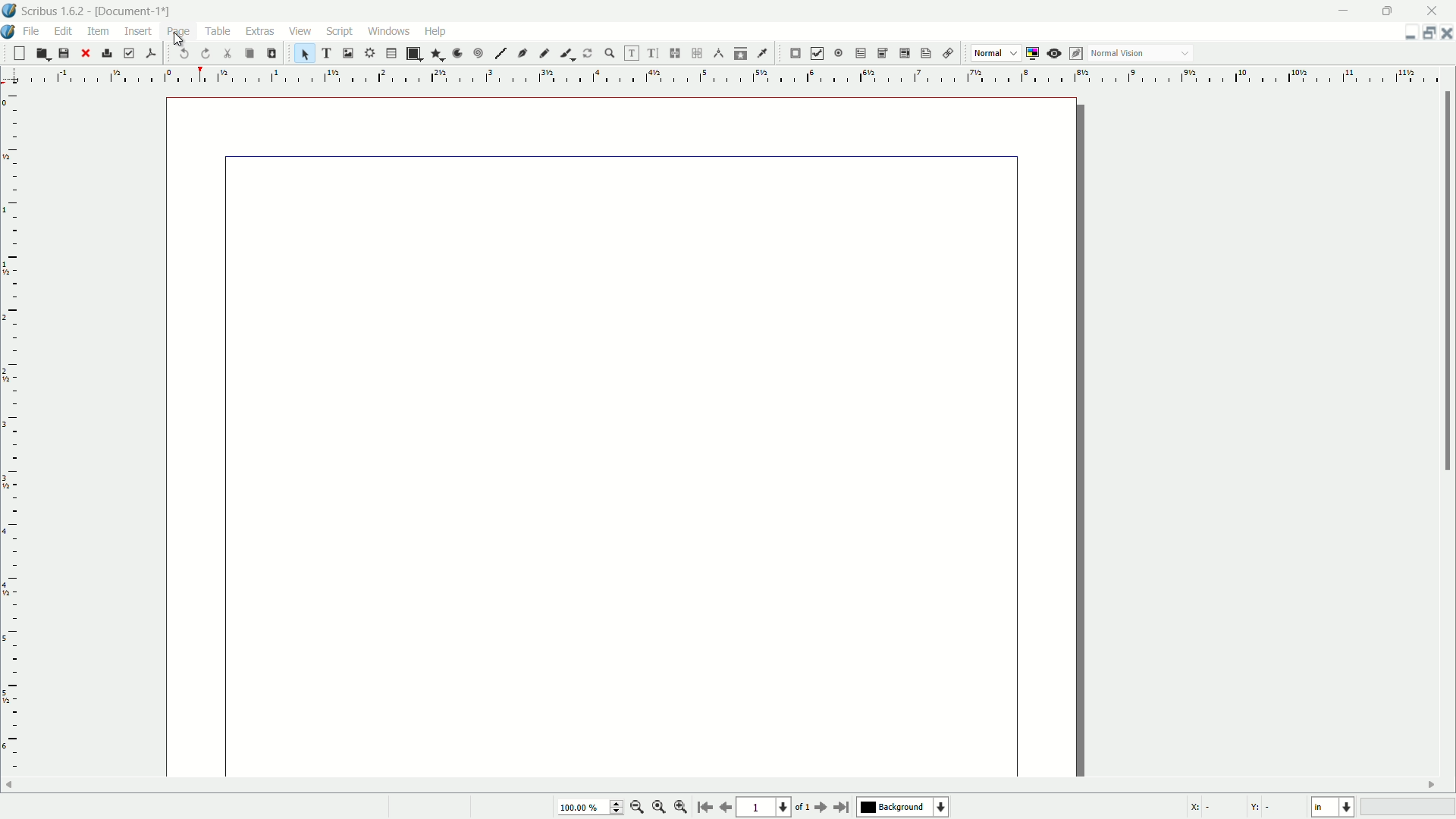 The height and width of the screenshot is (819, 1456). Describe the element at coordinates (64, 54) in the screenshot. I see `save` at that location.